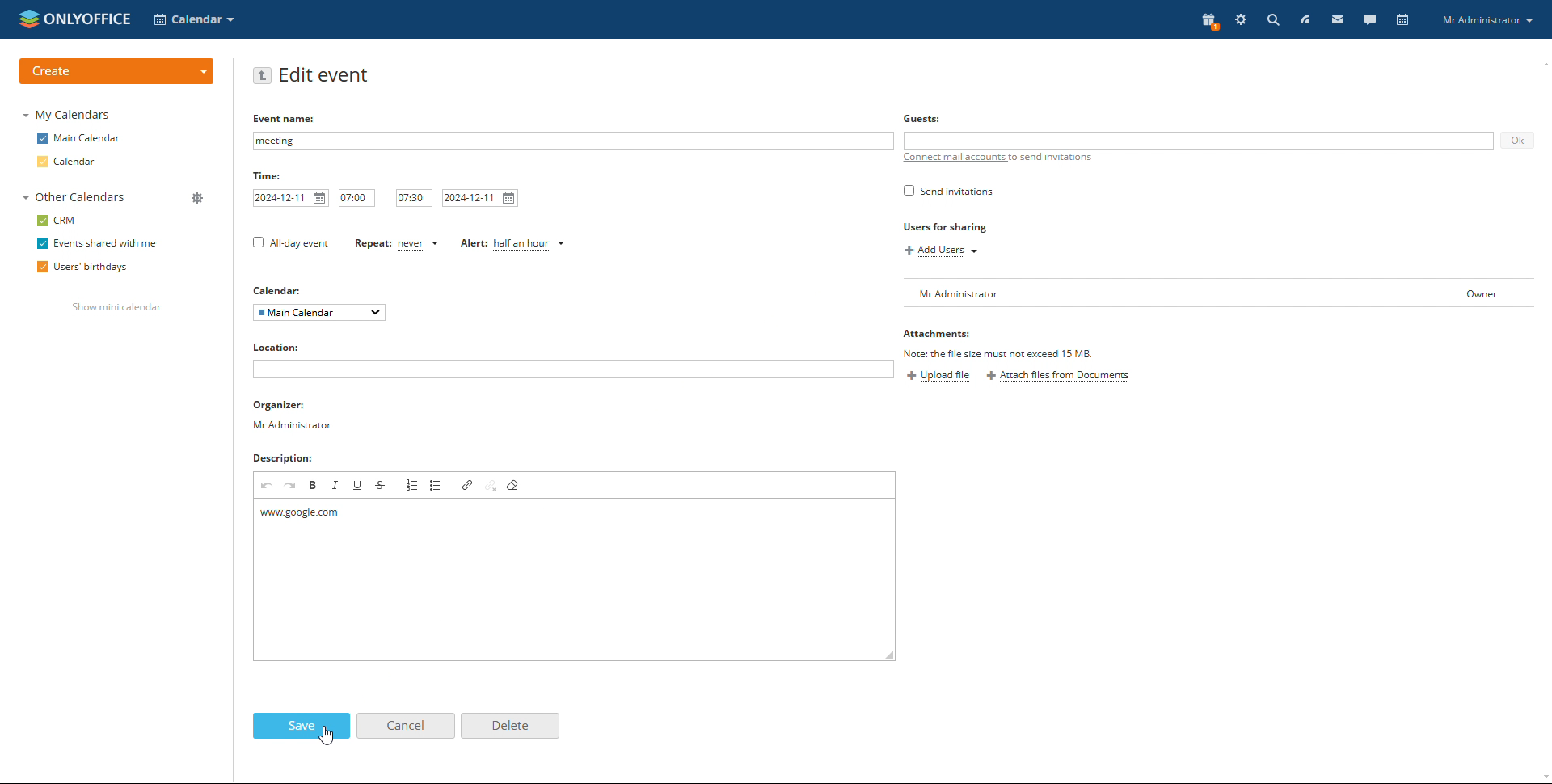 Image resolution: width=1552 pixels, height=784 pixels. I want to click on cursor, so click(326, 737).